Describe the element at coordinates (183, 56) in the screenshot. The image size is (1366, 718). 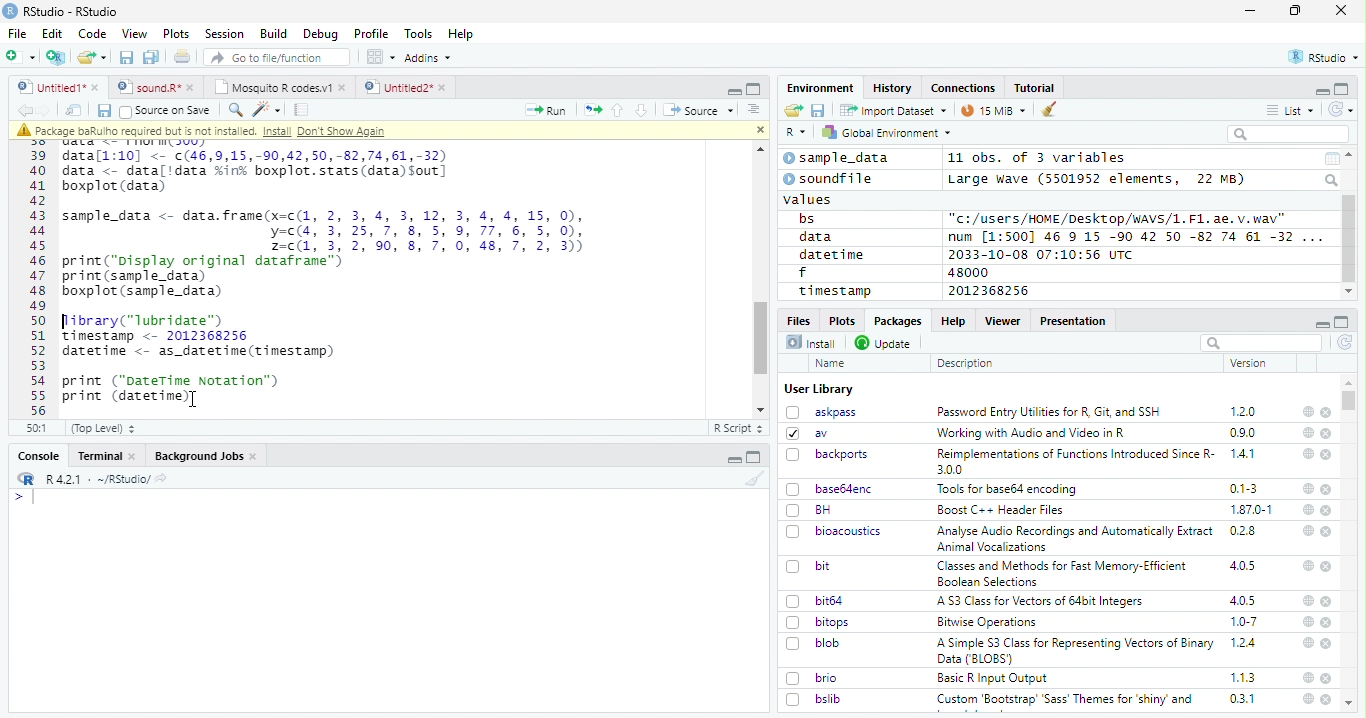
I see `Print` at that location.